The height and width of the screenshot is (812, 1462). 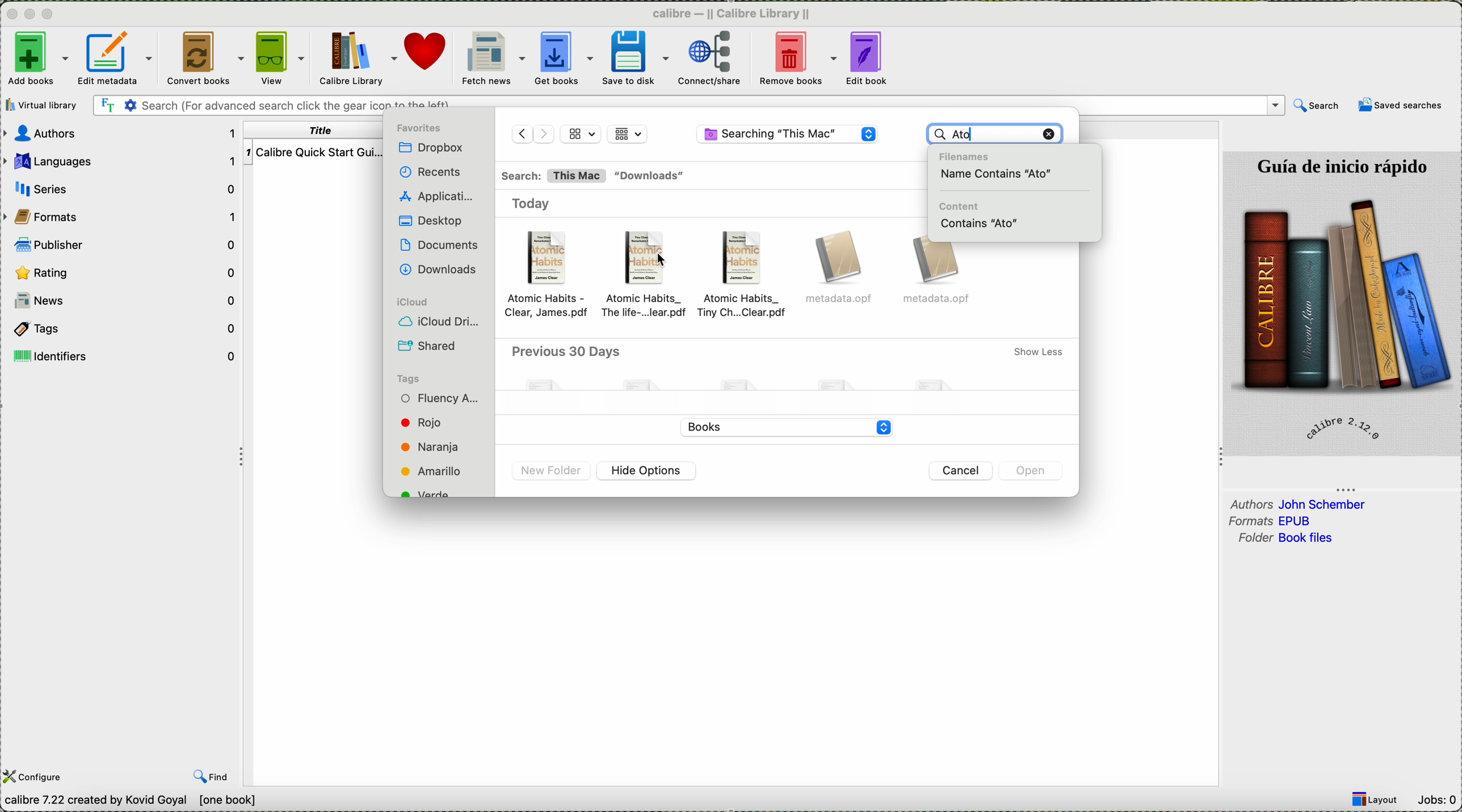 I want to click on favorites, so click(x=422, y=128).